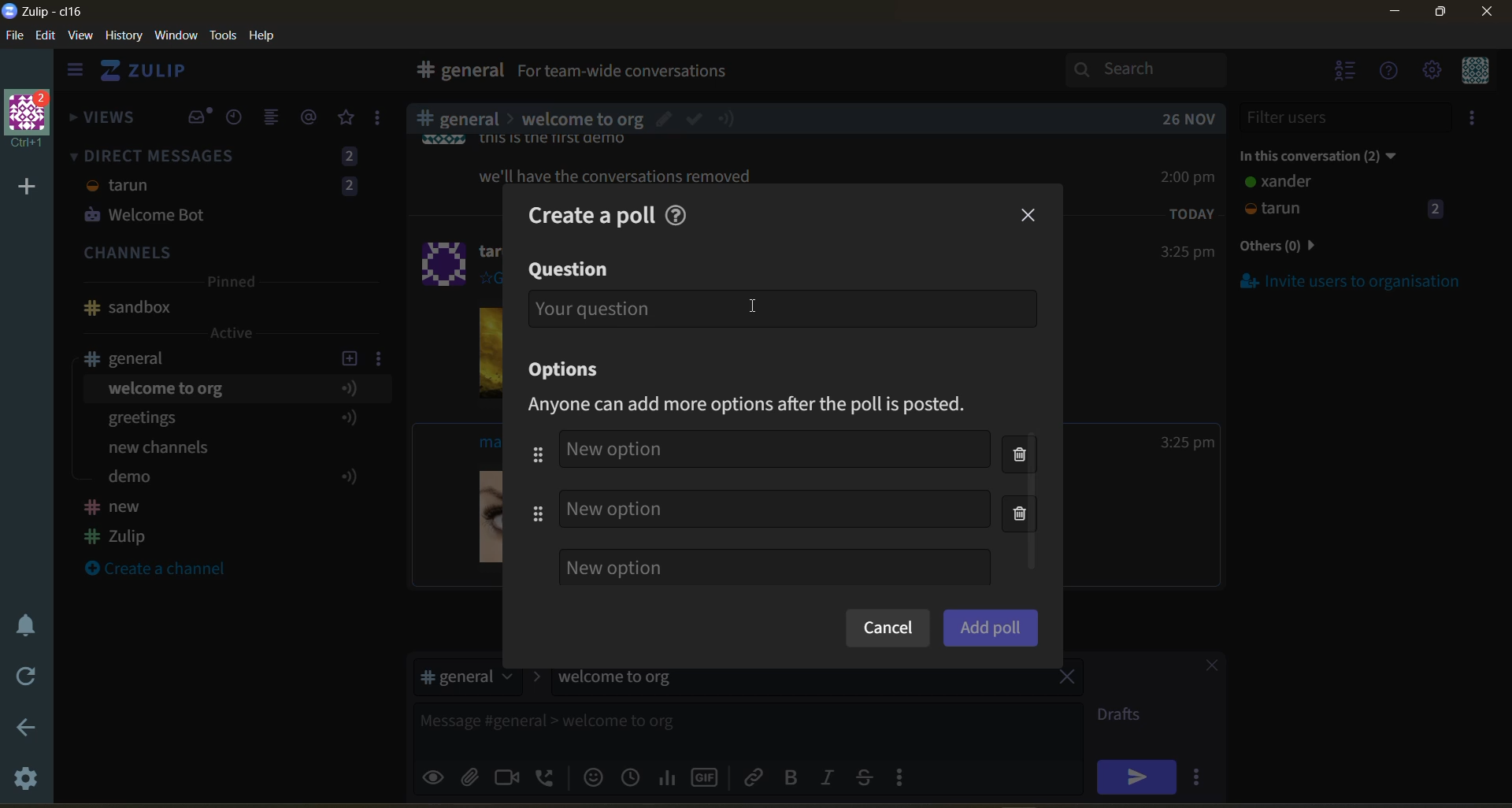 This screenshot has width=1512, height=808. What do you see at coordinates (136, 358) in the screenshot?
I see `channel name` at bounding box center [136, 358].